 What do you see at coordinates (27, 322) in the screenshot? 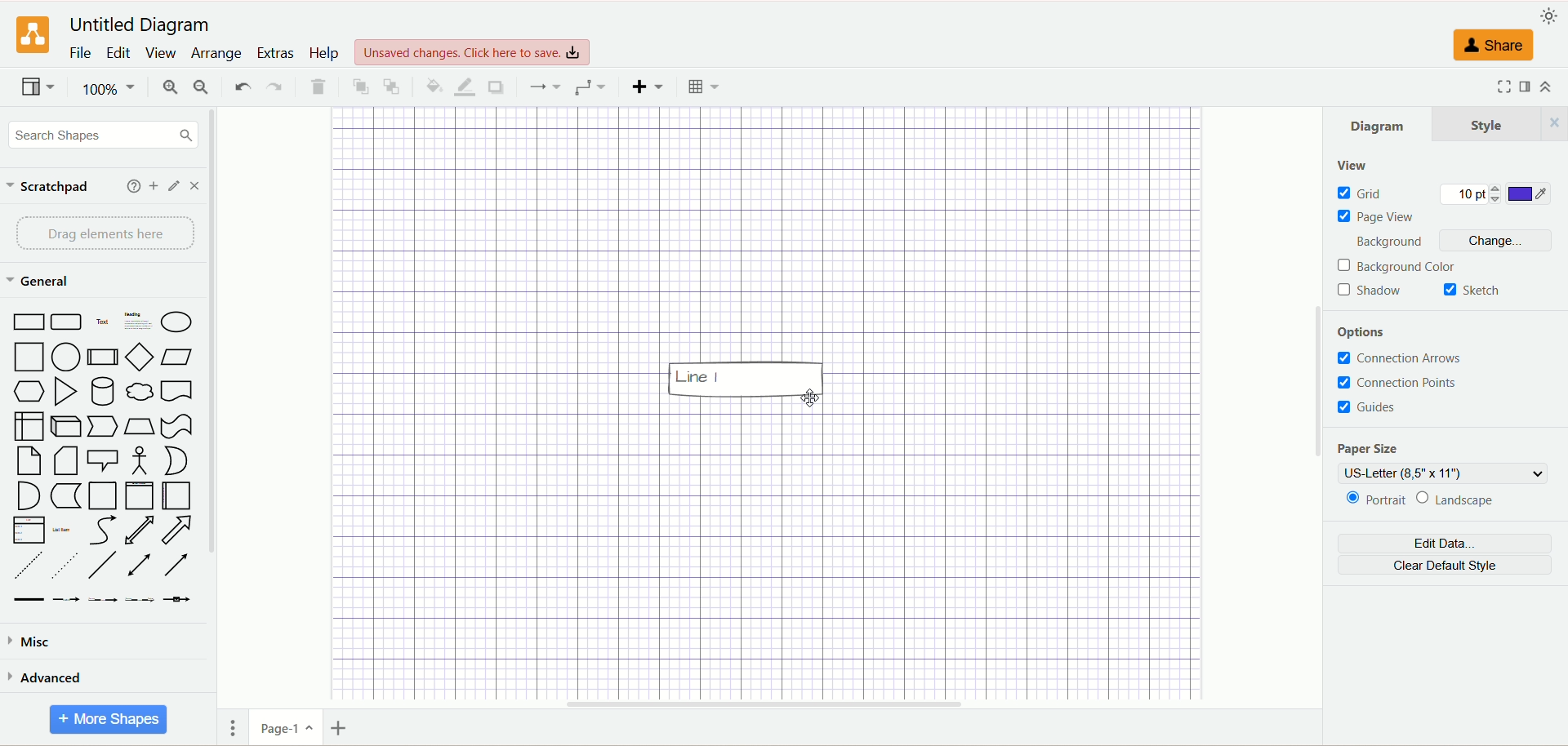
I see `Rectangle` at bounding box center [27, 322].